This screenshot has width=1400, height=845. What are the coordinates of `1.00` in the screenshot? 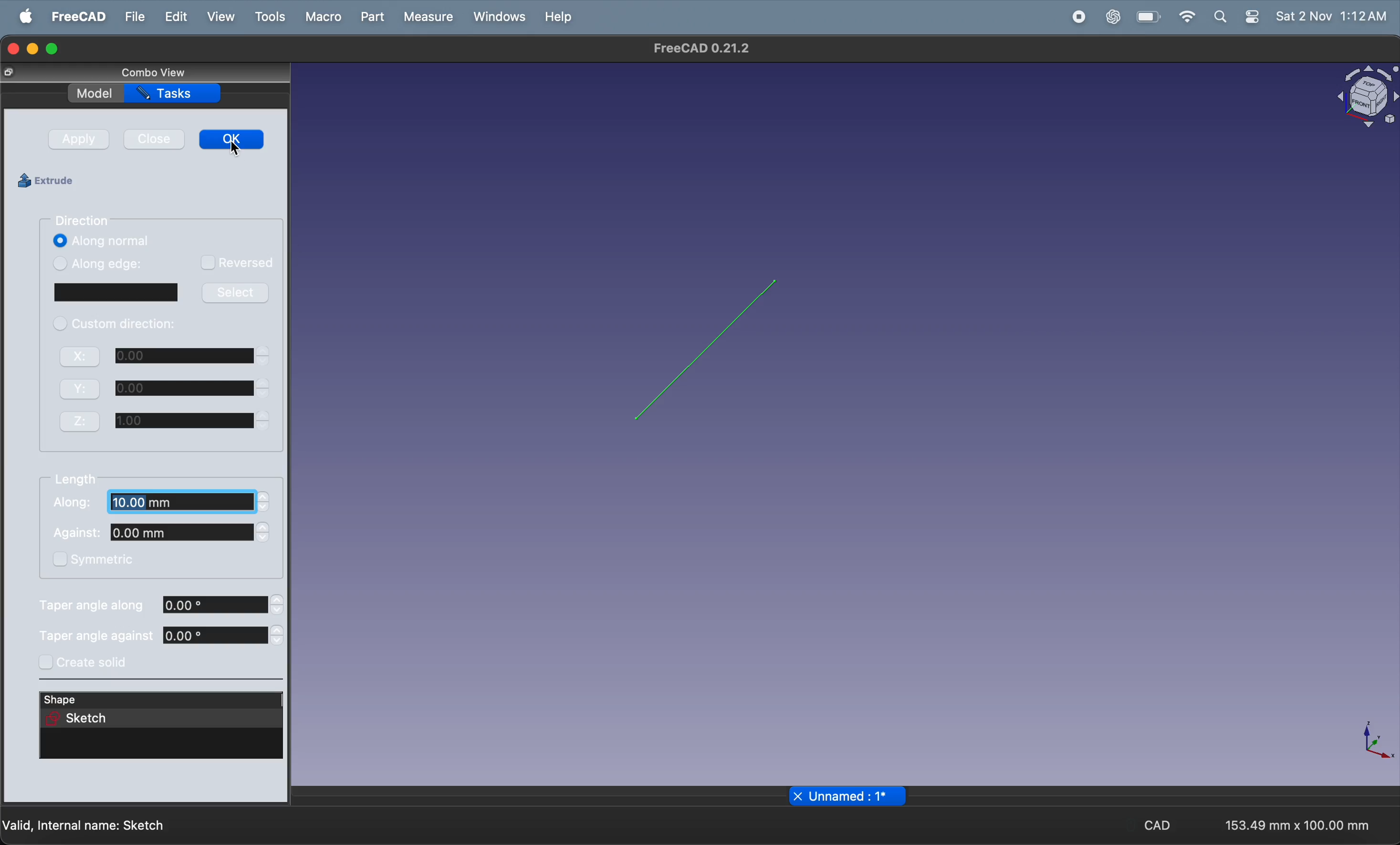 It's located at (187, 421).